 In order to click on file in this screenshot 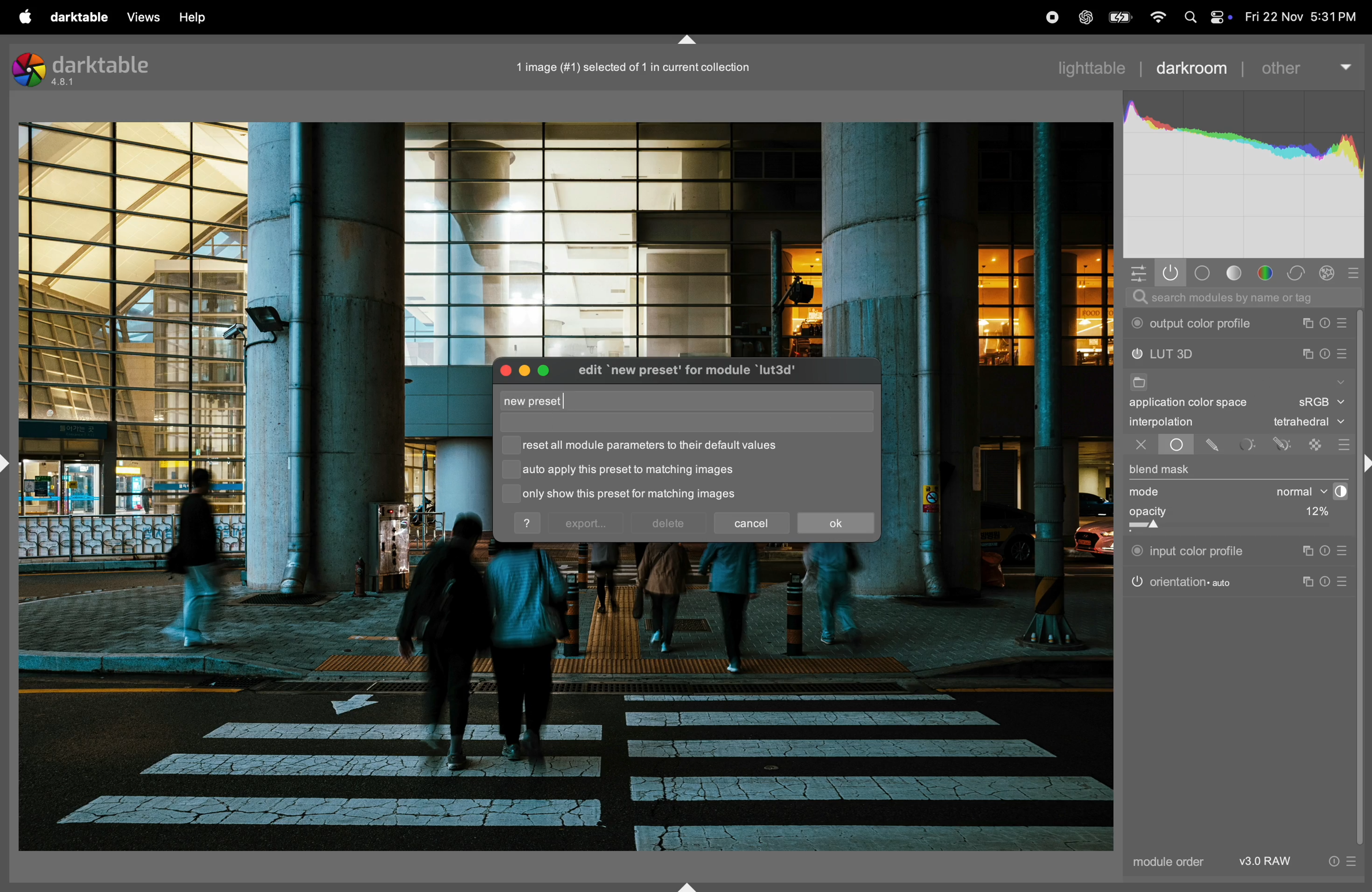, I will do `click(1137, 384)`.